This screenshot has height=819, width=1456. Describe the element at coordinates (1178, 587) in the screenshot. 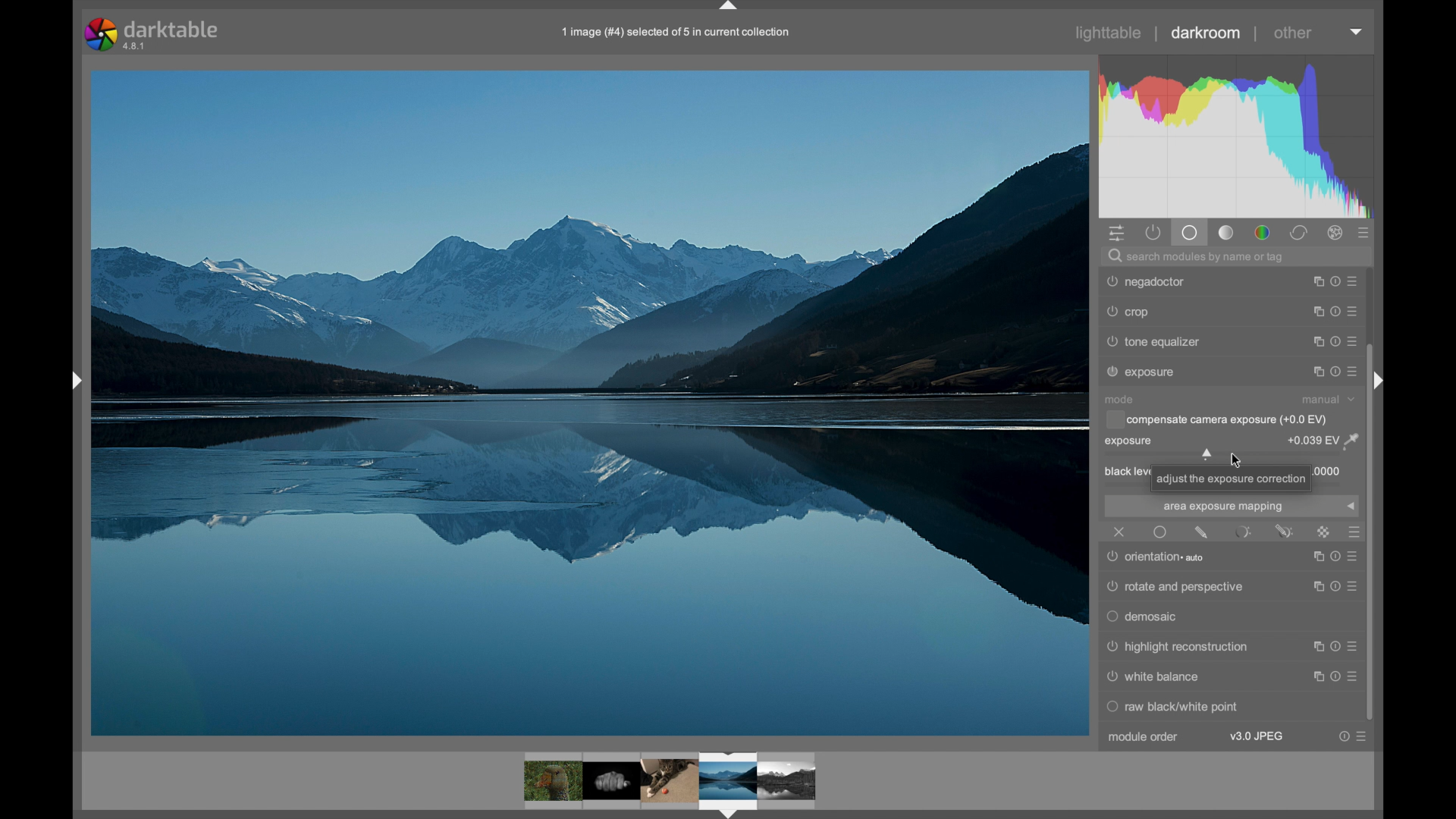

I see `rotate and perspective` at that location.